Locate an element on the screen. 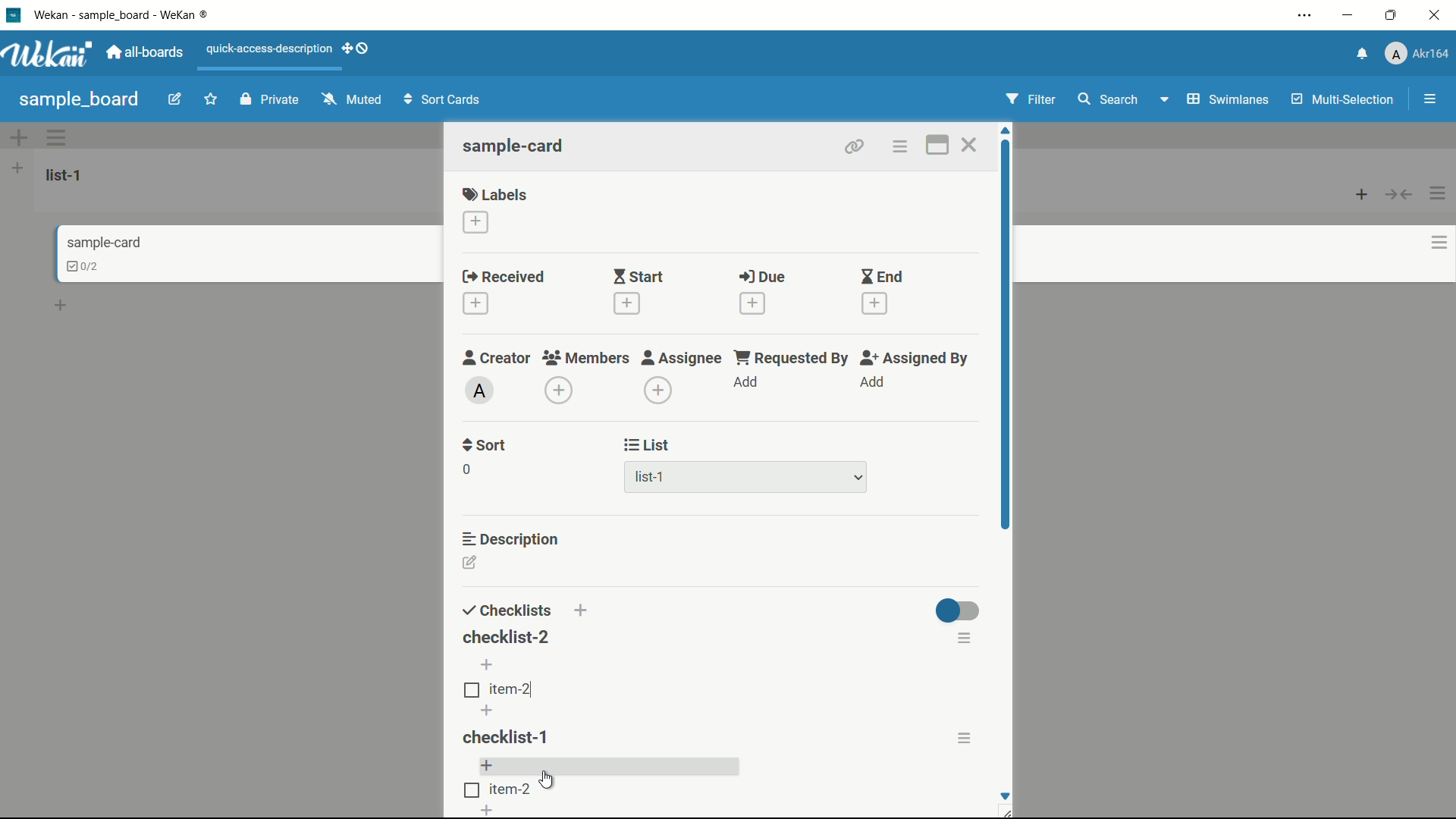 Image resolution: width=1456 pixels, height=819 pixels. star is located at coordinates (213, 101).